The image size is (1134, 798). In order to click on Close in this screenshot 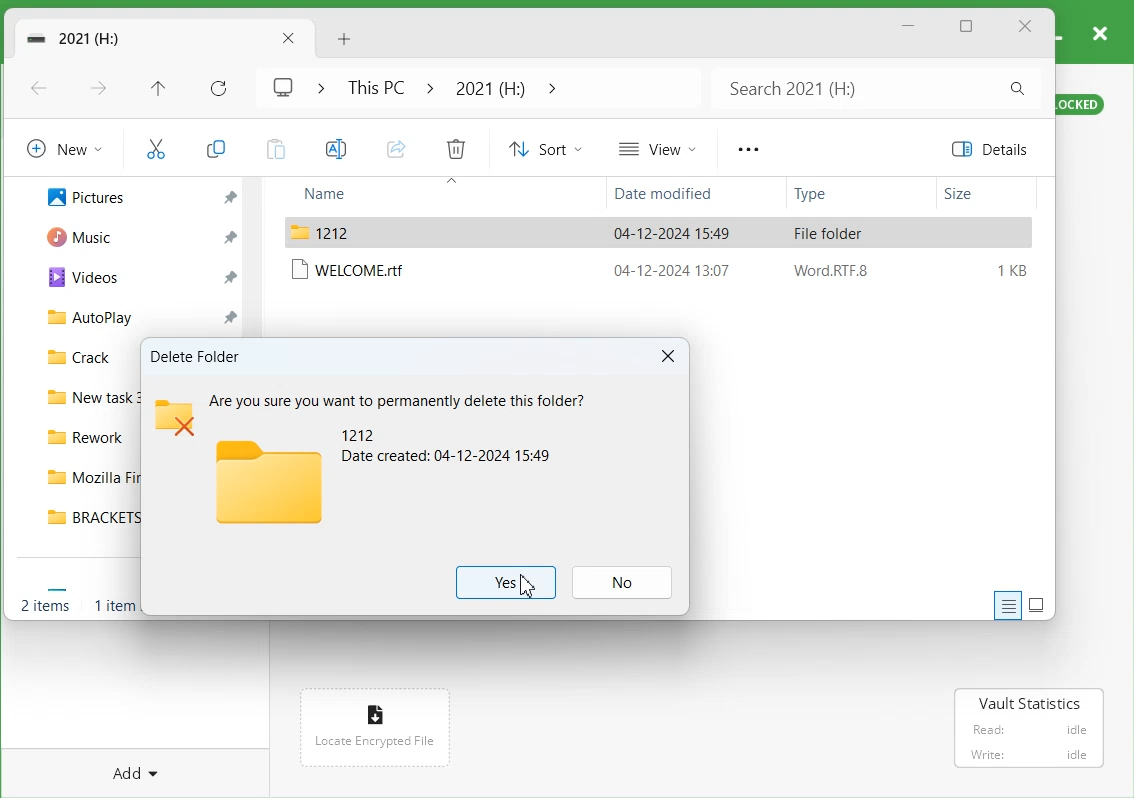, I will do `click(1025, 27)`.